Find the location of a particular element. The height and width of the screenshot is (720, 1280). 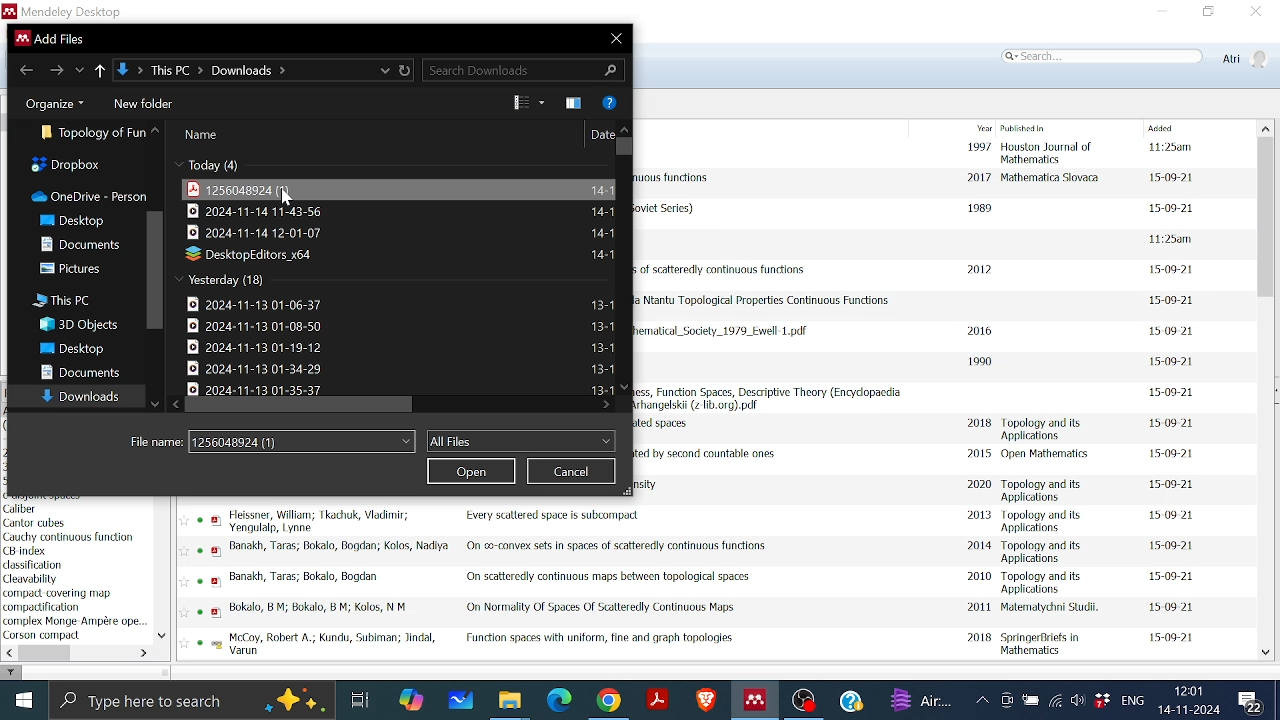

Mendeley is located at coordinates (757, 701).